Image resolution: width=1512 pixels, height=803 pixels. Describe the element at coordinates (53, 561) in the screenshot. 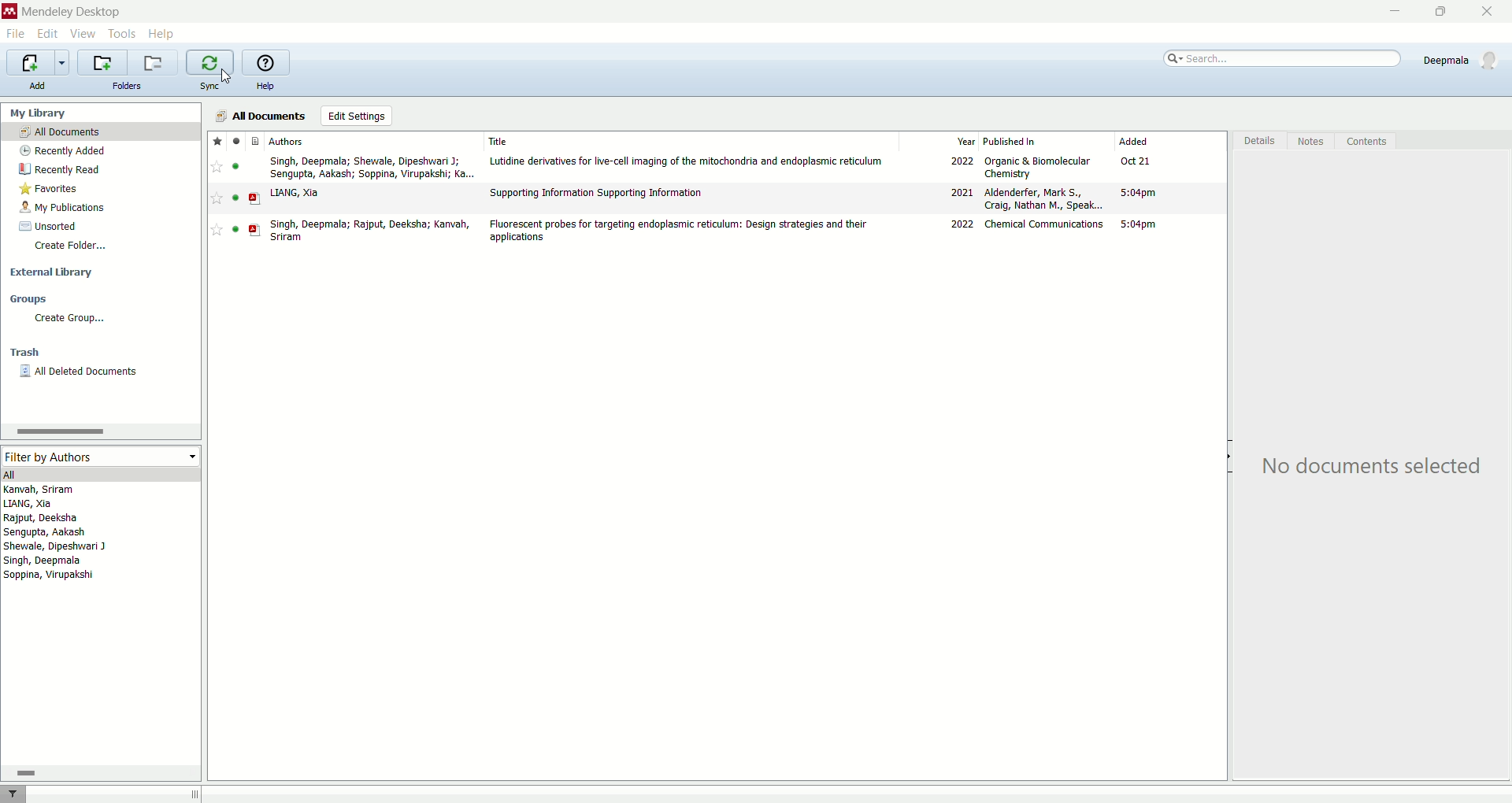

I see `Singh, Deepmala` at that location.